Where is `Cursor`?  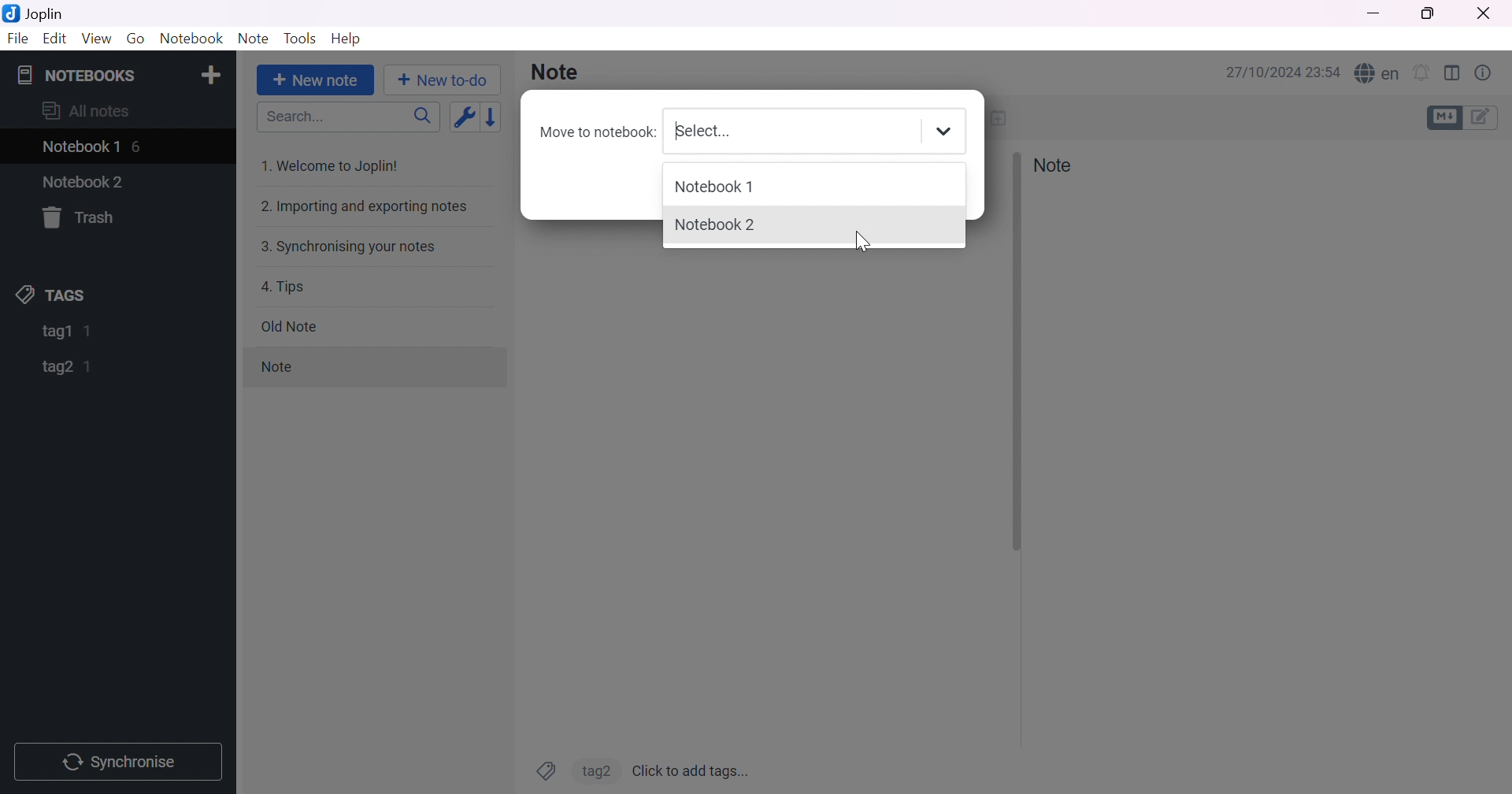
Cursor is located at coordinates (866, 241).